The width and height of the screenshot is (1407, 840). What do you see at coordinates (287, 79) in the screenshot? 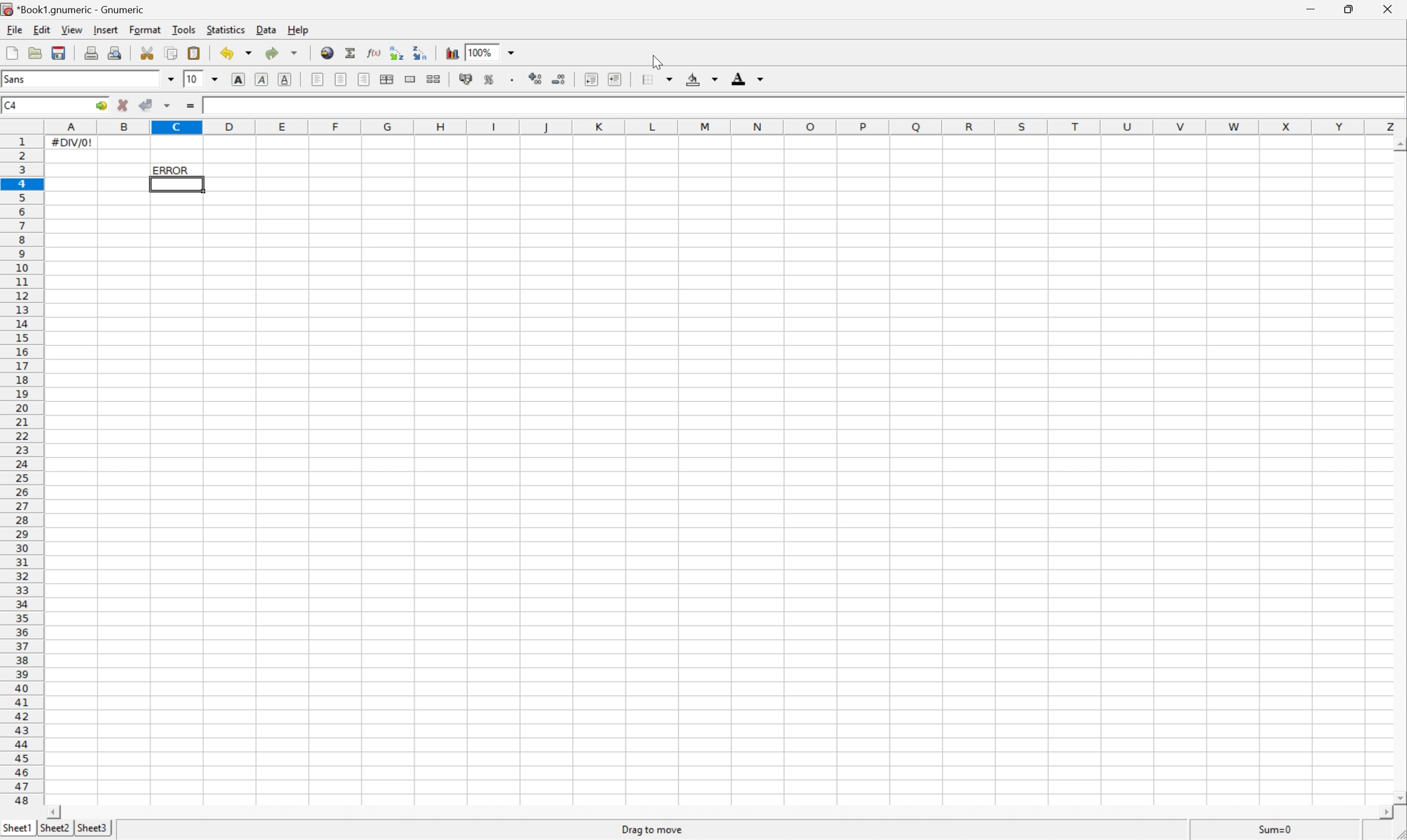
I see `Underline` at bounding box center [287, 79].